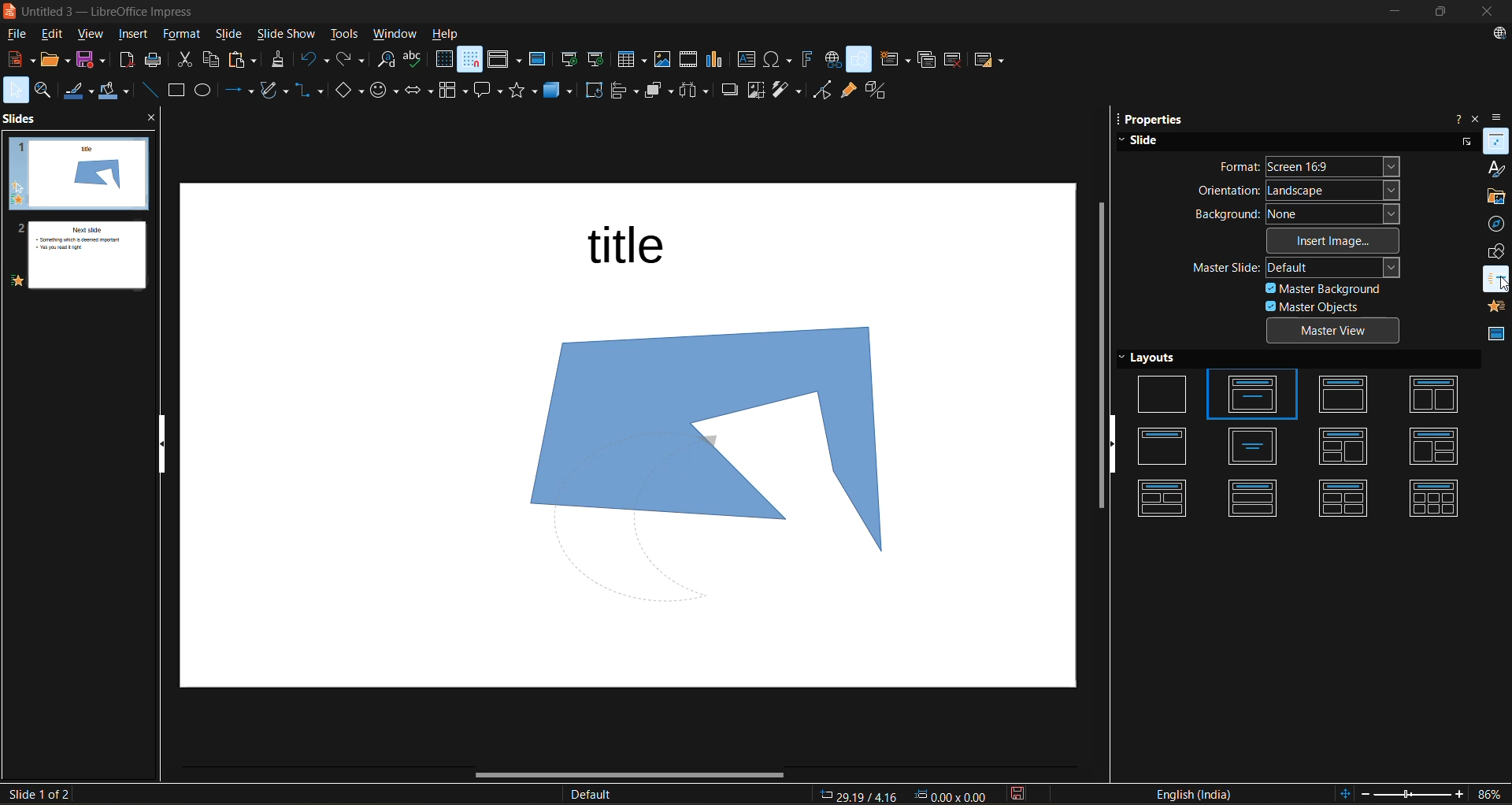  I want to click on fill color, so click(117, 93).